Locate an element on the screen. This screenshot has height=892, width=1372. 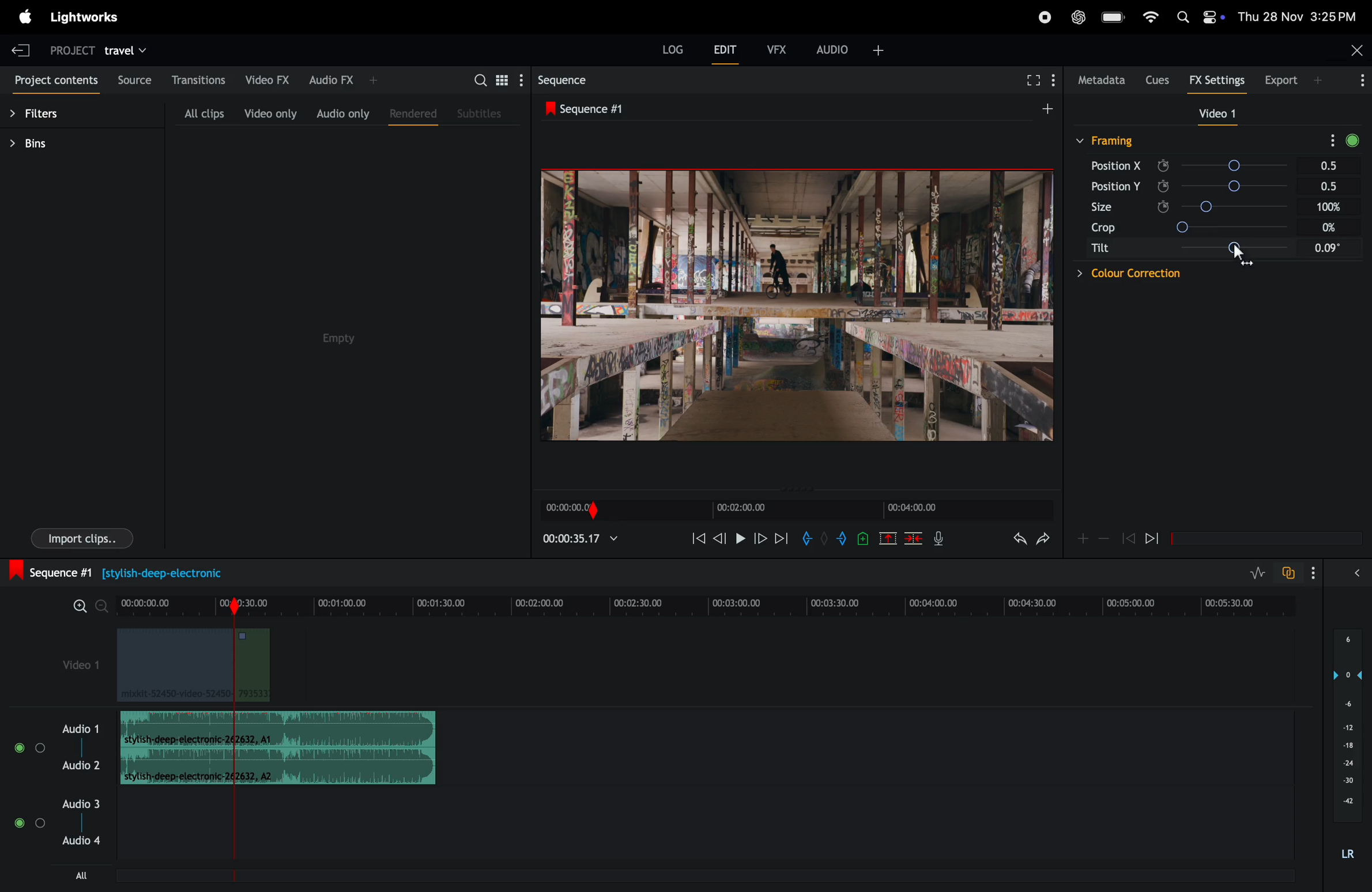
Show/hide full audio mix is located at coordinates (1359, 575).